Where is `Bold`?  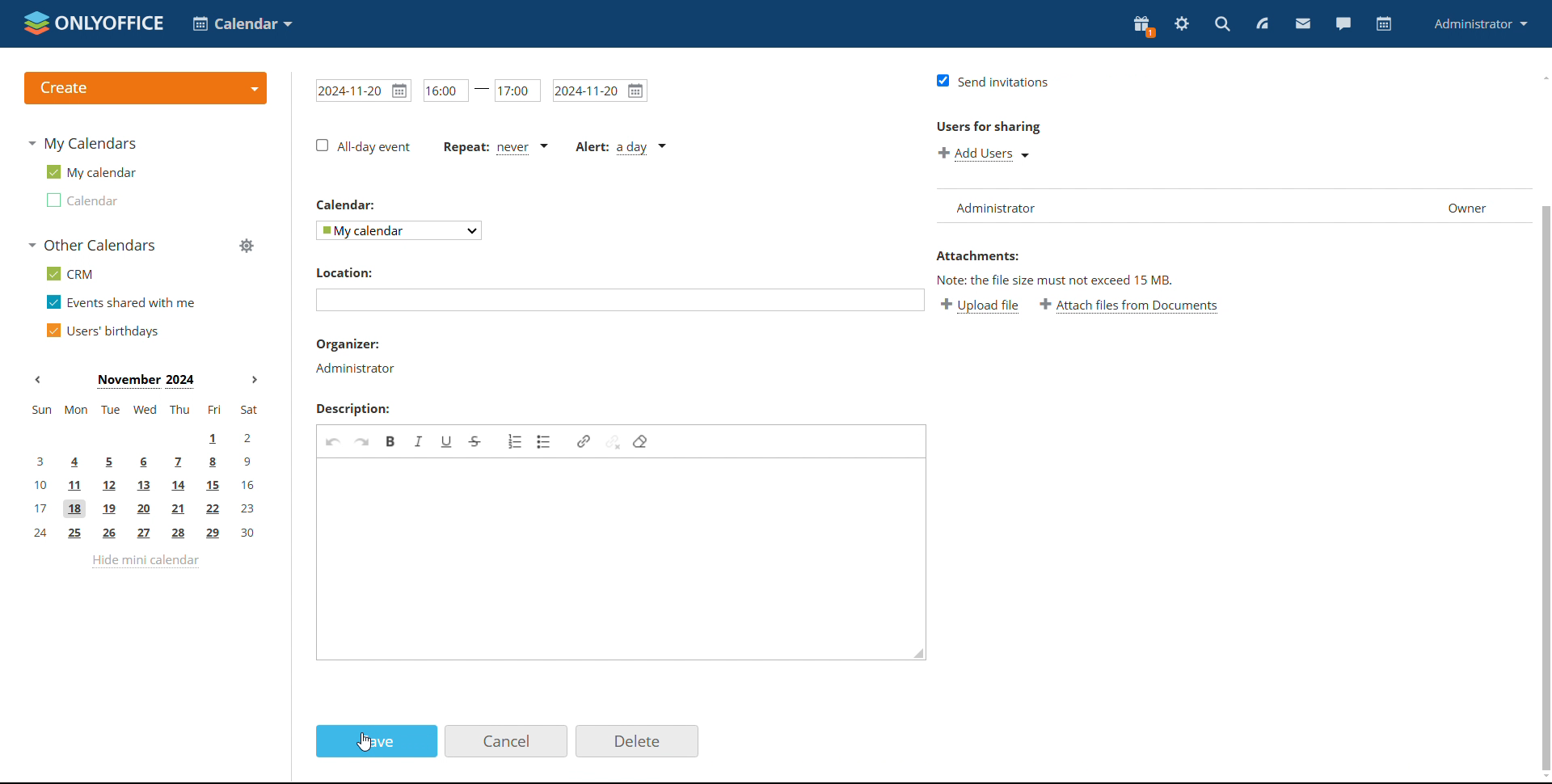
Bold is located at coordinates (391, 443).